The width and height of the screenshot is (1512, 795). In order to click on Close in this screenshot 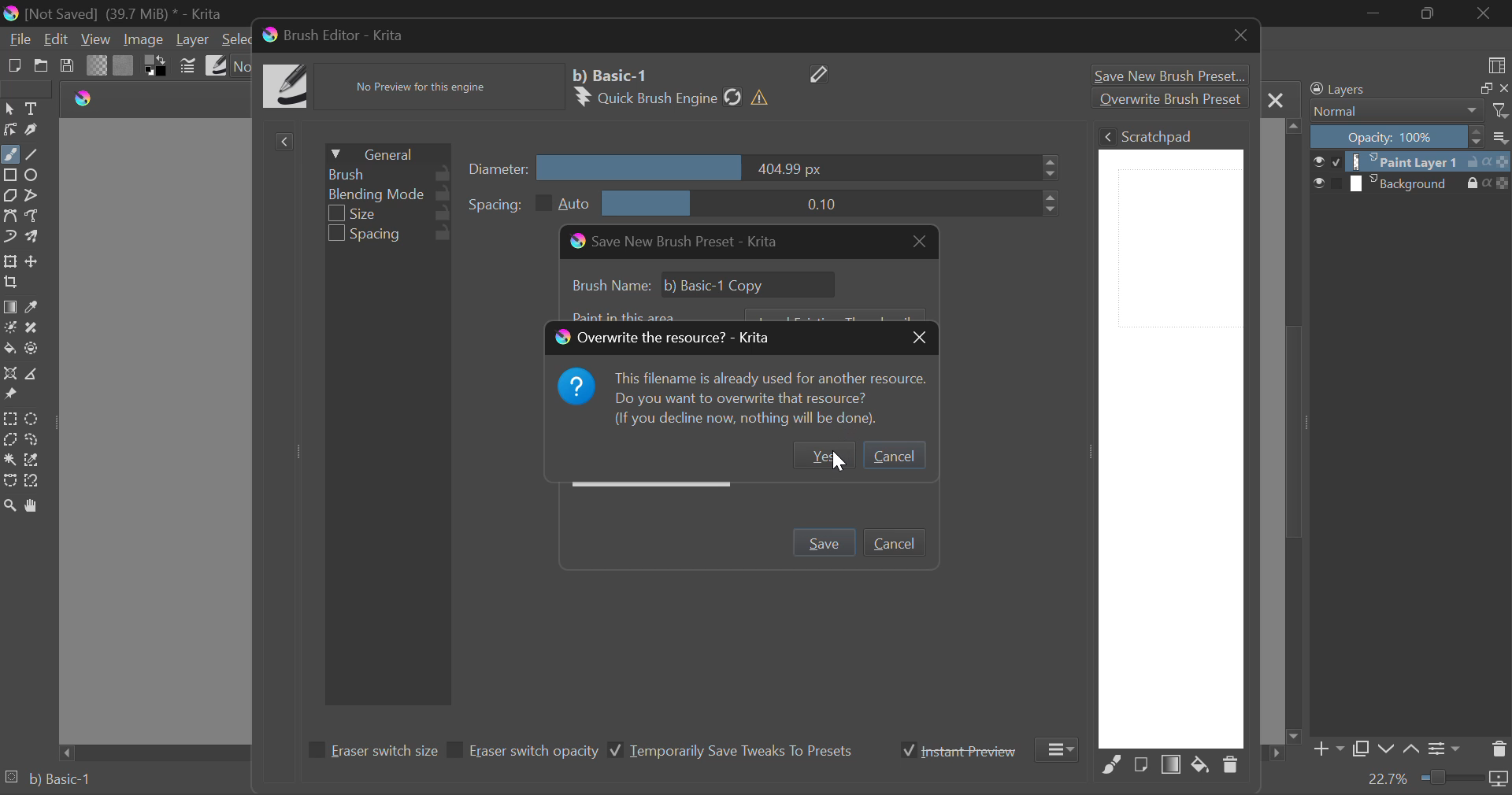, I will do `click(1241, 38)`.